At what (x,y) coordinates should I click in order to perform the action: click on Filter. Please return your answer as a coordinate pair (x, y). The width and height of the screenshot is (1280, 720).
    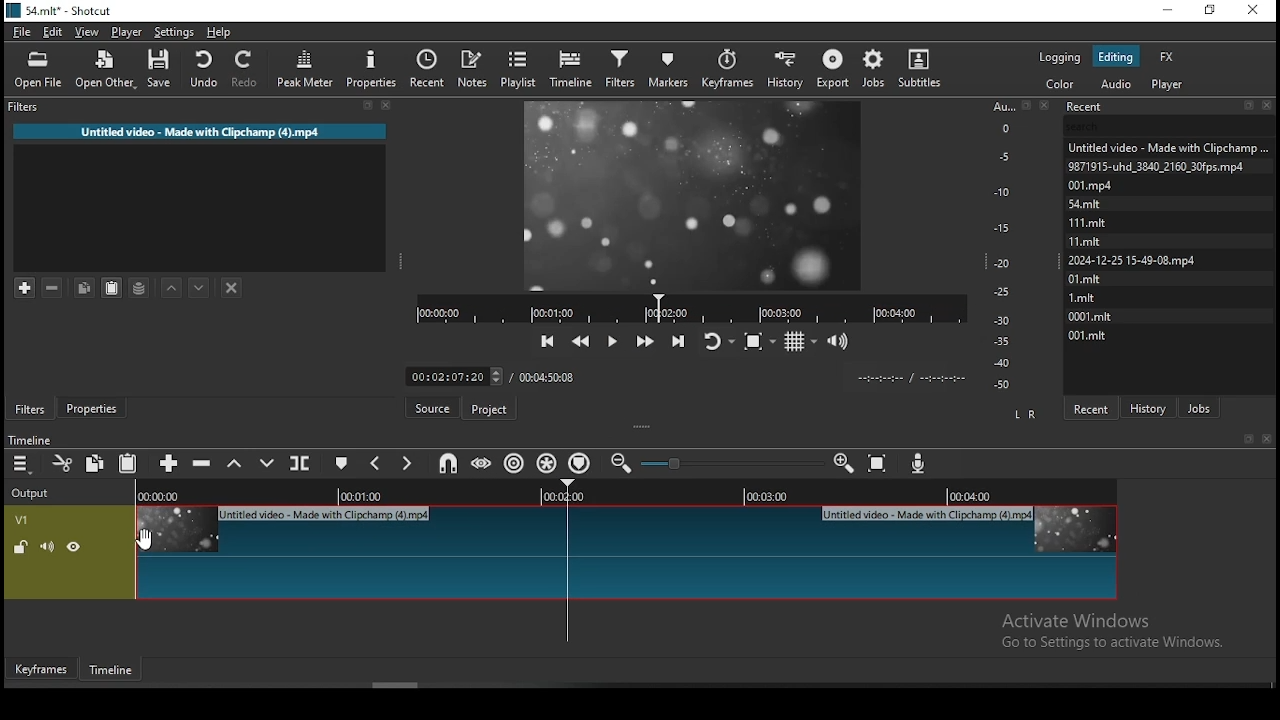
    Looking at the image, I should click on (198, 106).